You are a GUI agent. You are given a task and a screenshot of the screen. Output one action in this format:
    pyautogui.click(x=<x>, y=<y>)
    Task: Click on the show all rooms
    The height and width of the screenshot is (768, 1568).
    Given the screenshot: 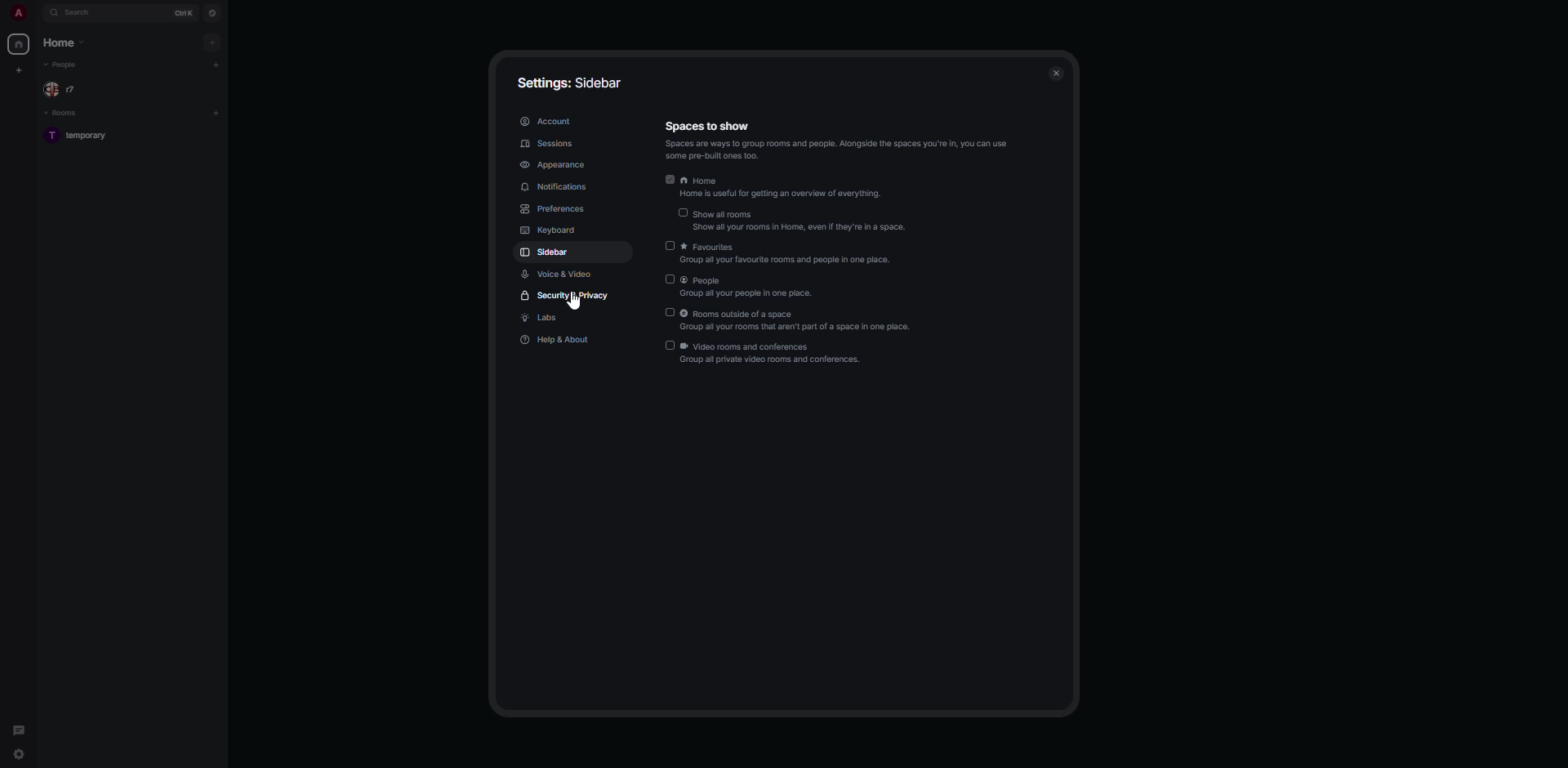 What is the action you would take?
    pyautogui.click(x=796, y=220)
    